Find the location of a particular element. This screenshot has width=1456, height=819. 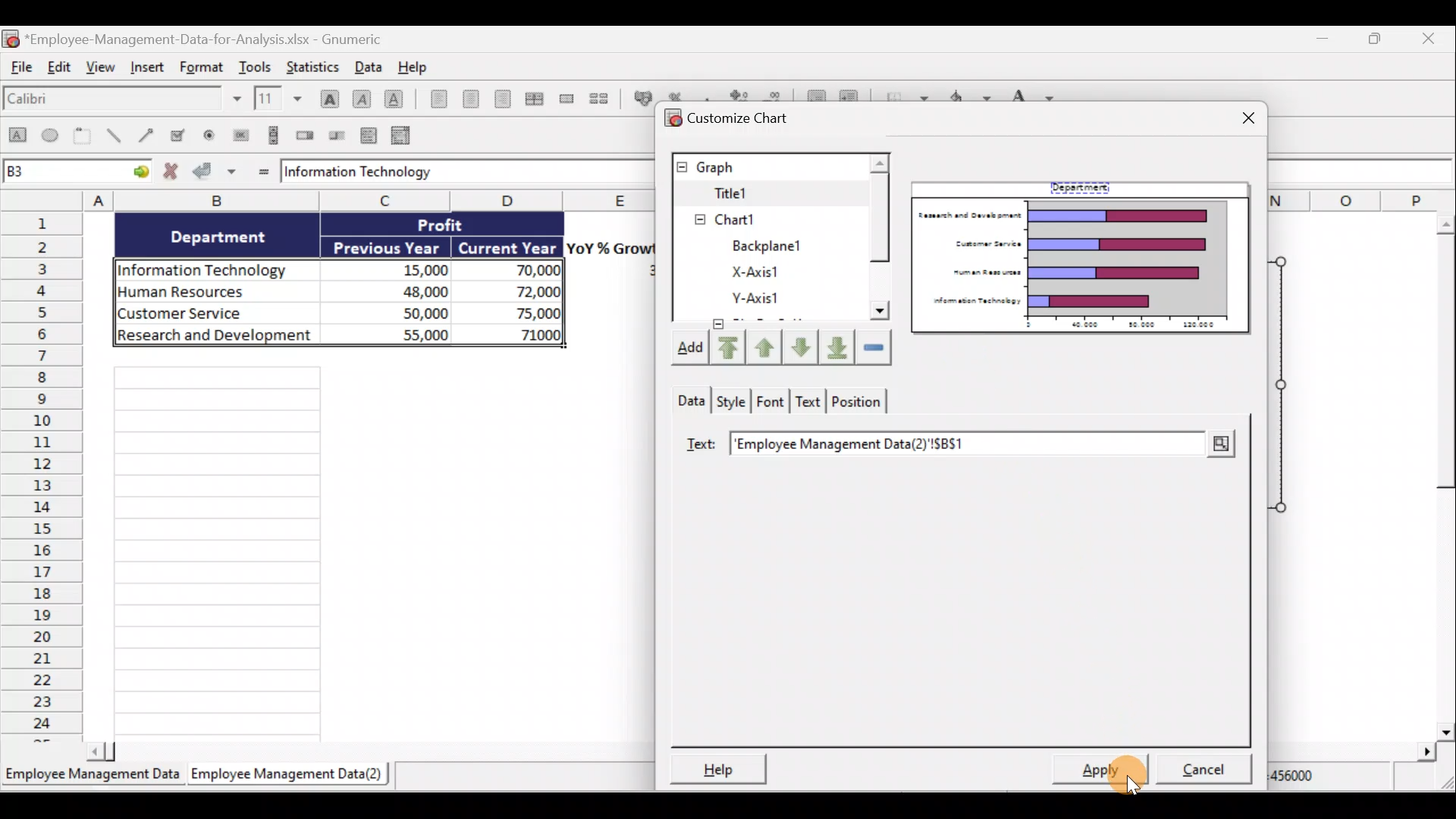

71000 is located at coordinates (535, 334).